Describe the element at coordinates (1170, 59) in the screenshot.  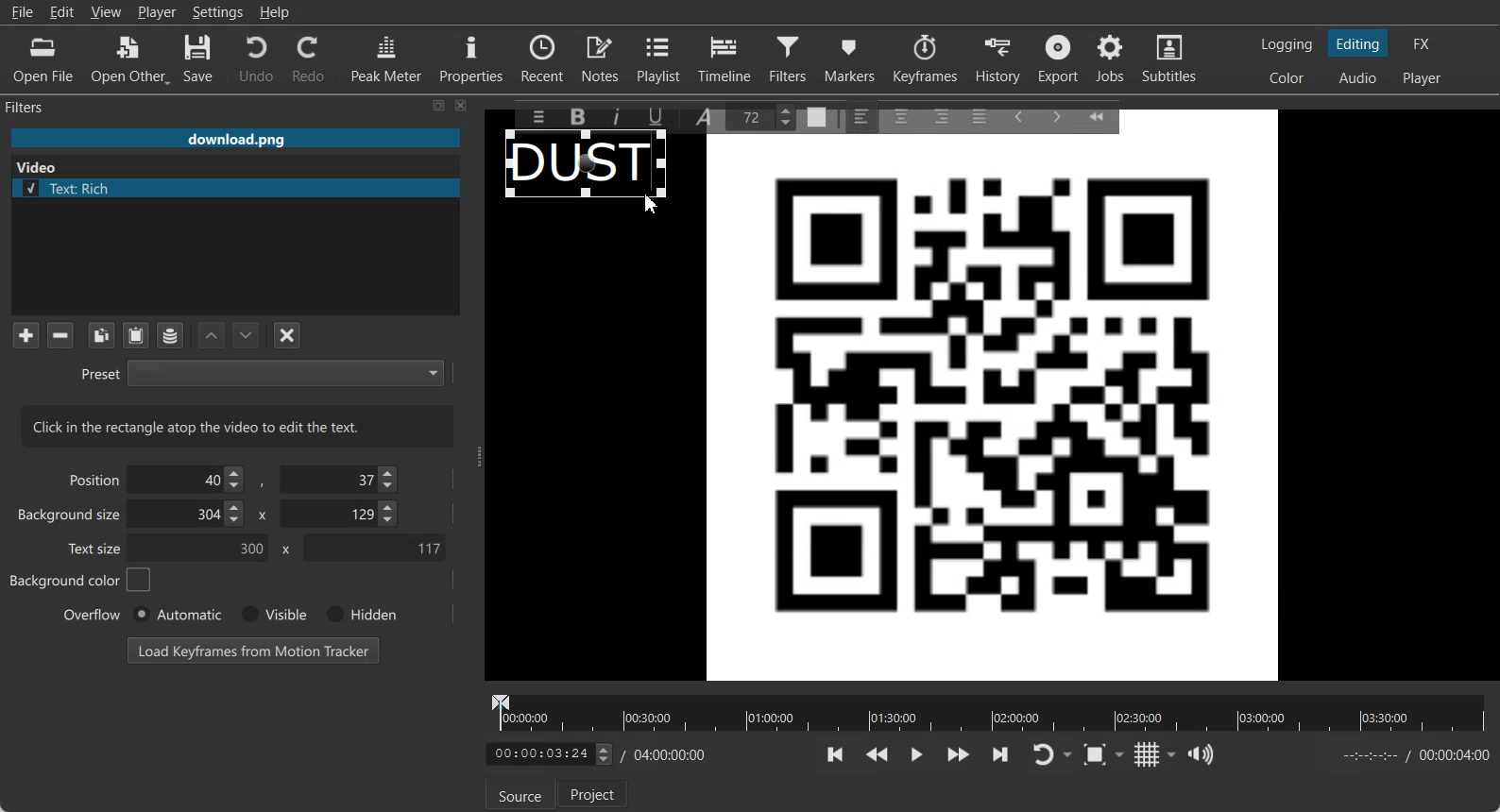
I see `Subtitles` at that location.